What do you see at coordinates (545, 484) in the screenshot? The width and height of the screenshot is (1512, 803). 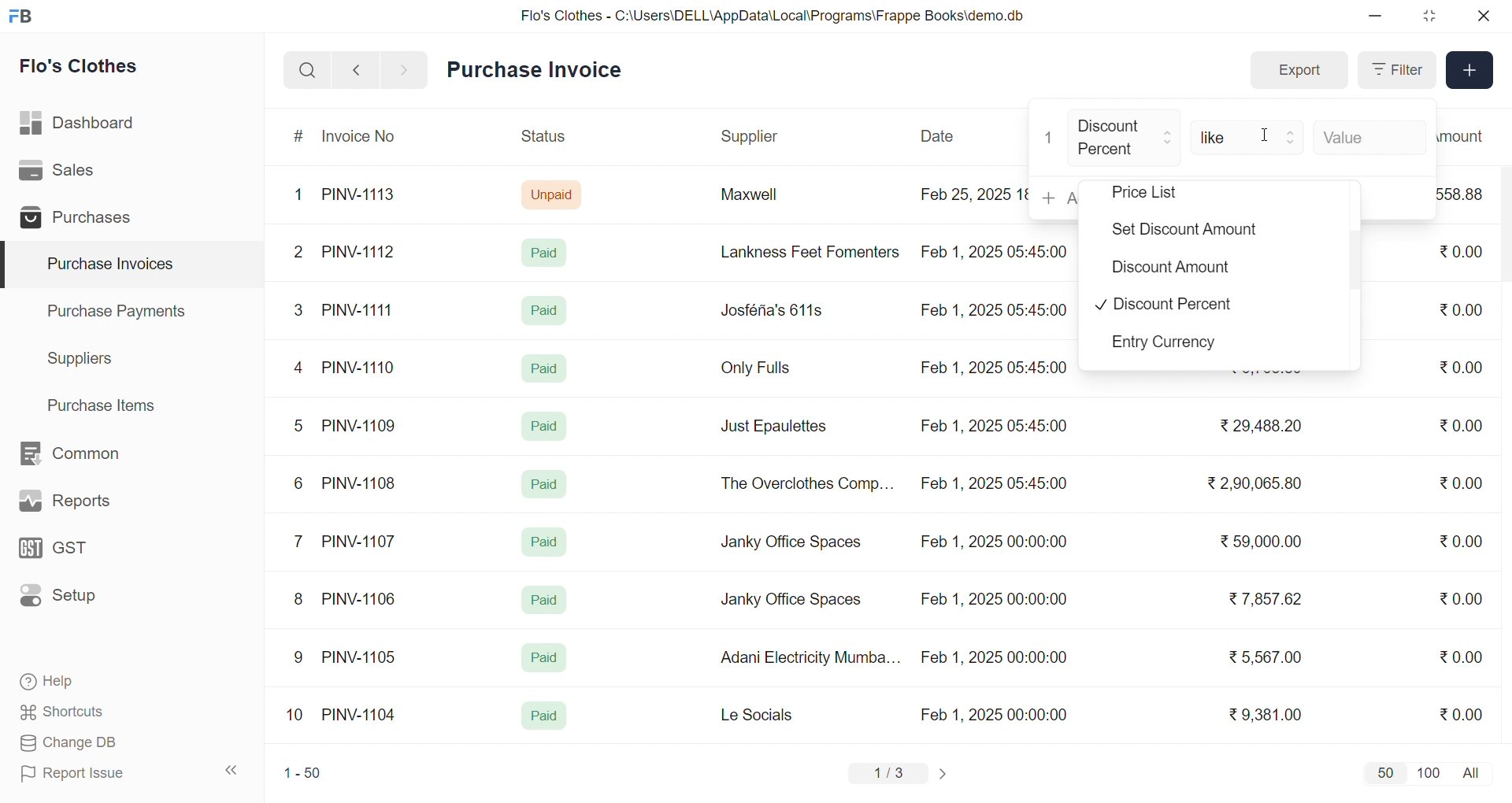 I see `Paid` at bounding box center [545, 484].